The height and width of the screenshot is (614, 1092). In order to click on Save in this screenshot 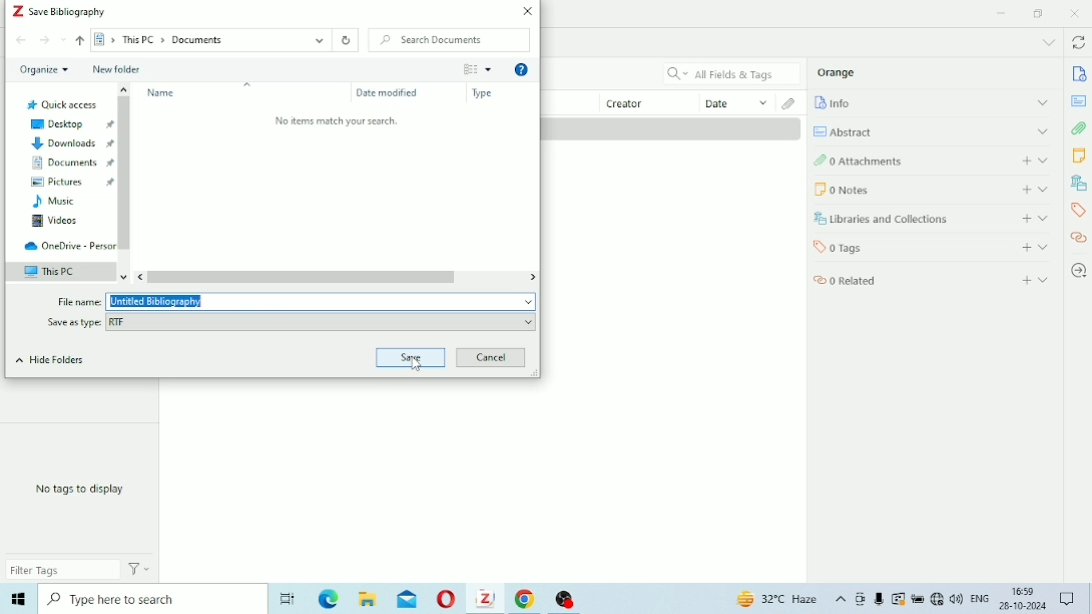, I will do `click(413, 356)`.